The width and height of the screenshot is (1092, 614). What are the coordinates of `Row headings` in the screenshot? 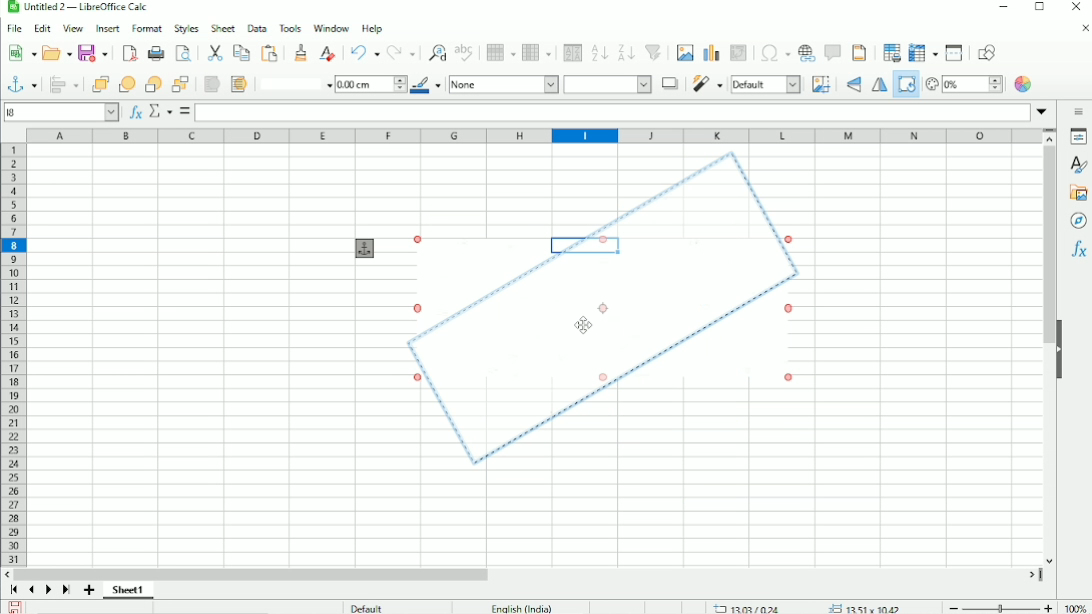 It's located at (14, 354).